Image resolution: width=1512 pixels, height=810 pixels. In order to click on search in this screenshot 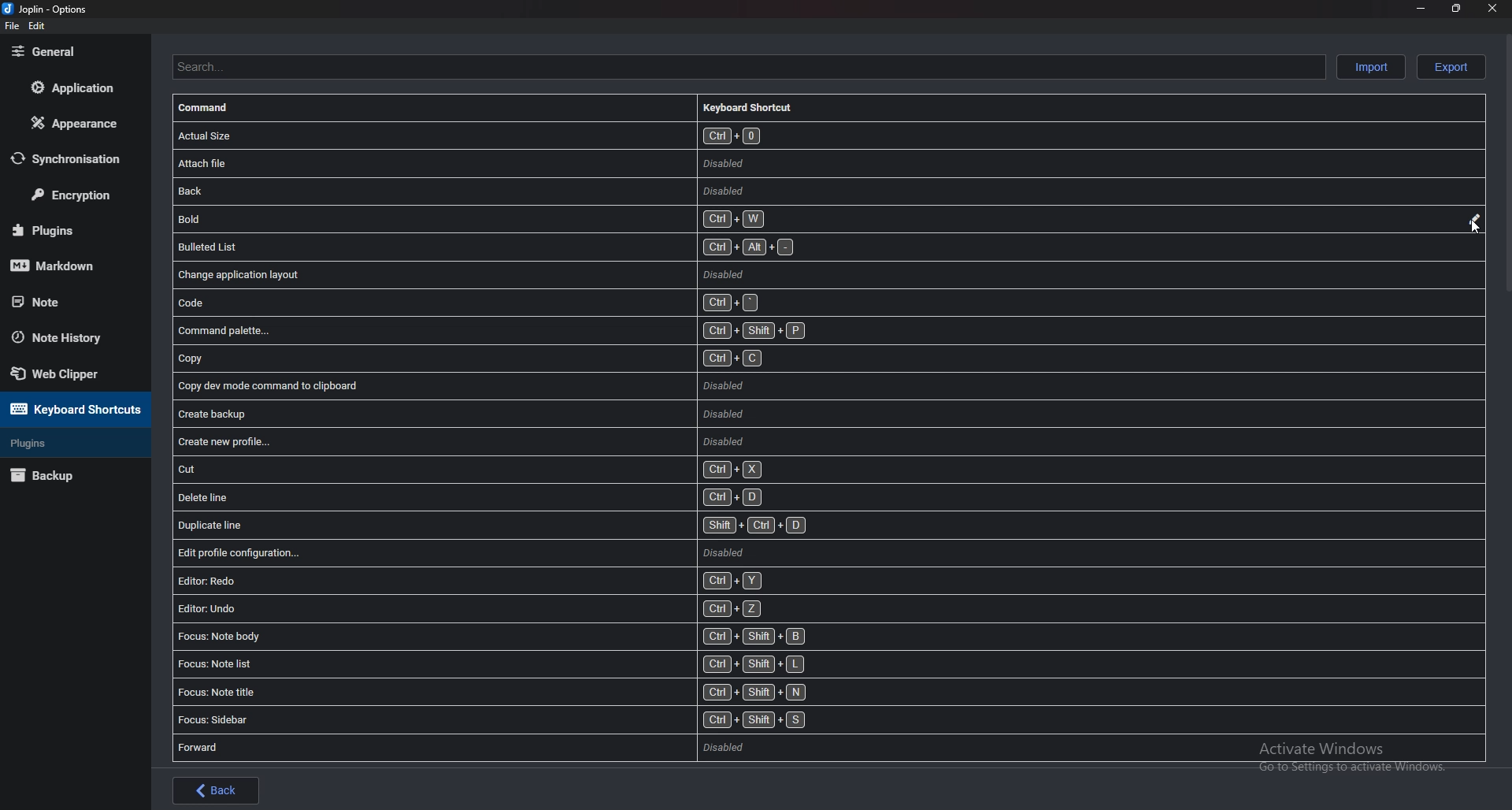, I will do `click(745, 65)`.